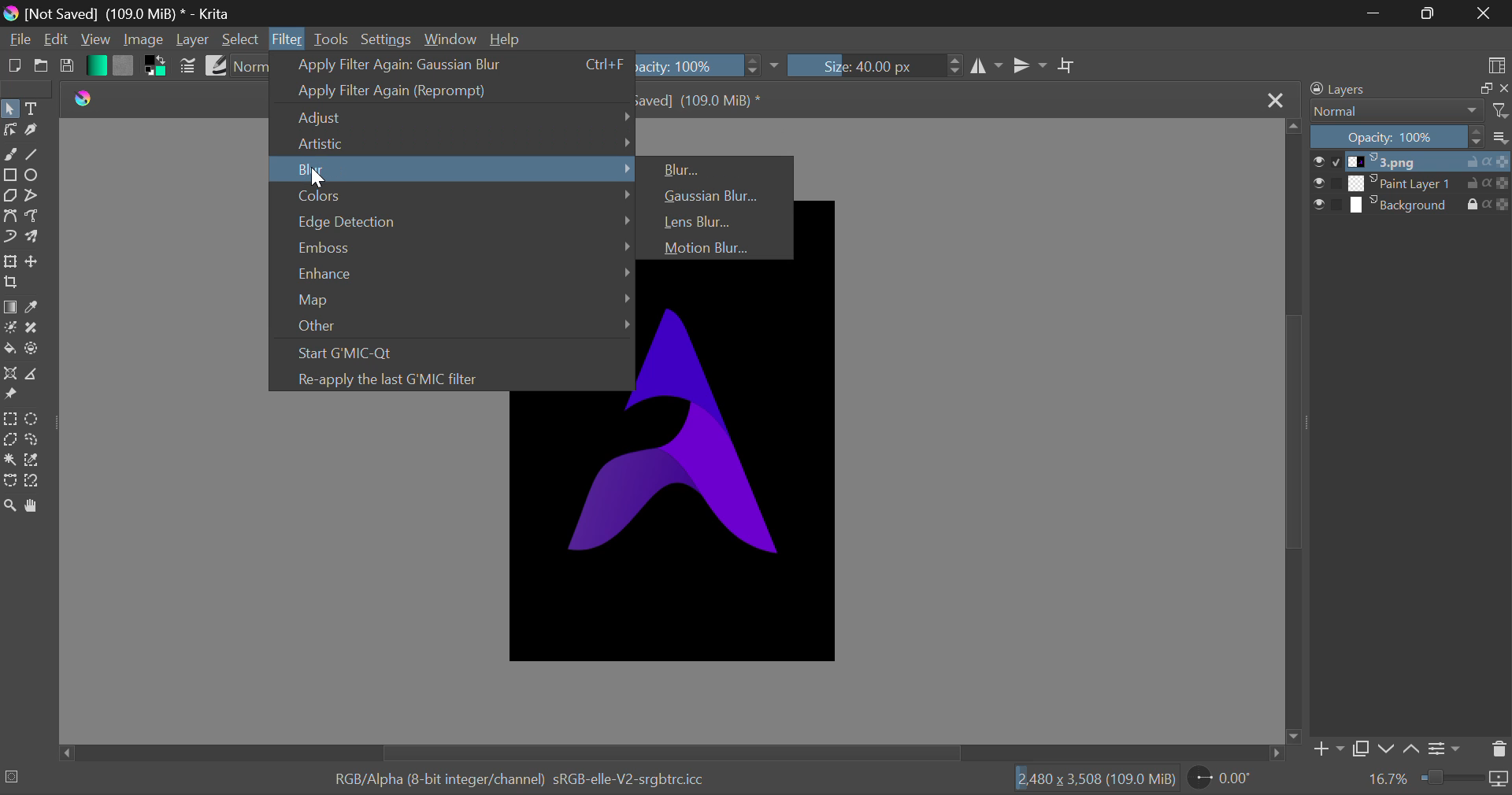 This screenshot has width=1512, height=795. Describe the element at coordinates (18, 42) in the screenshot. I see `File` at that location.